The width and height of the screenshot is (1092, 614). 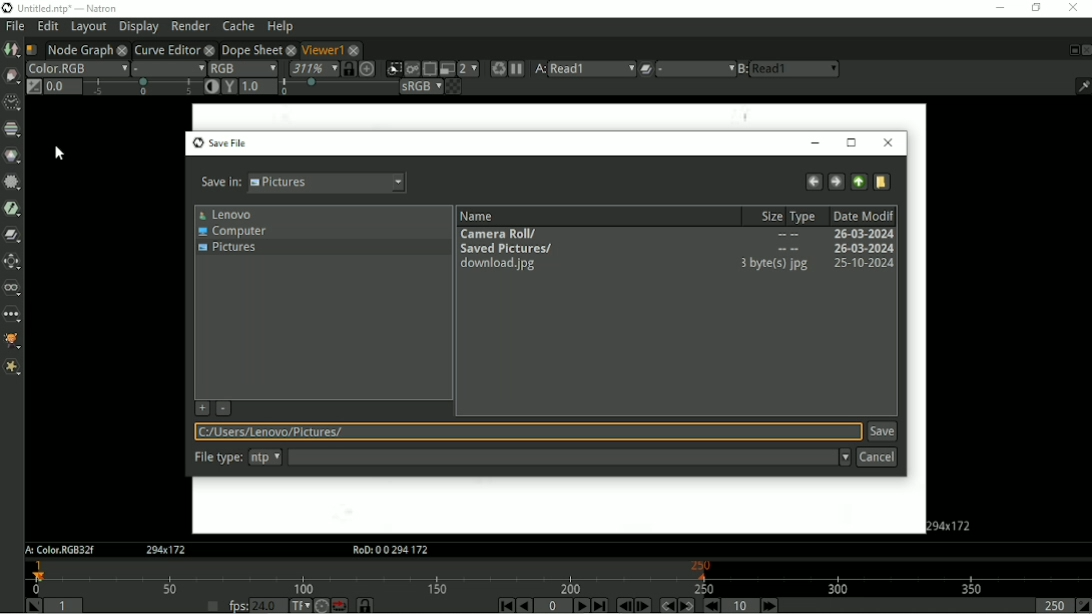 What do you see at coordinates (322, 605) in the screenshot?
I see `Turbo mode` at bounding box center [322, 605].